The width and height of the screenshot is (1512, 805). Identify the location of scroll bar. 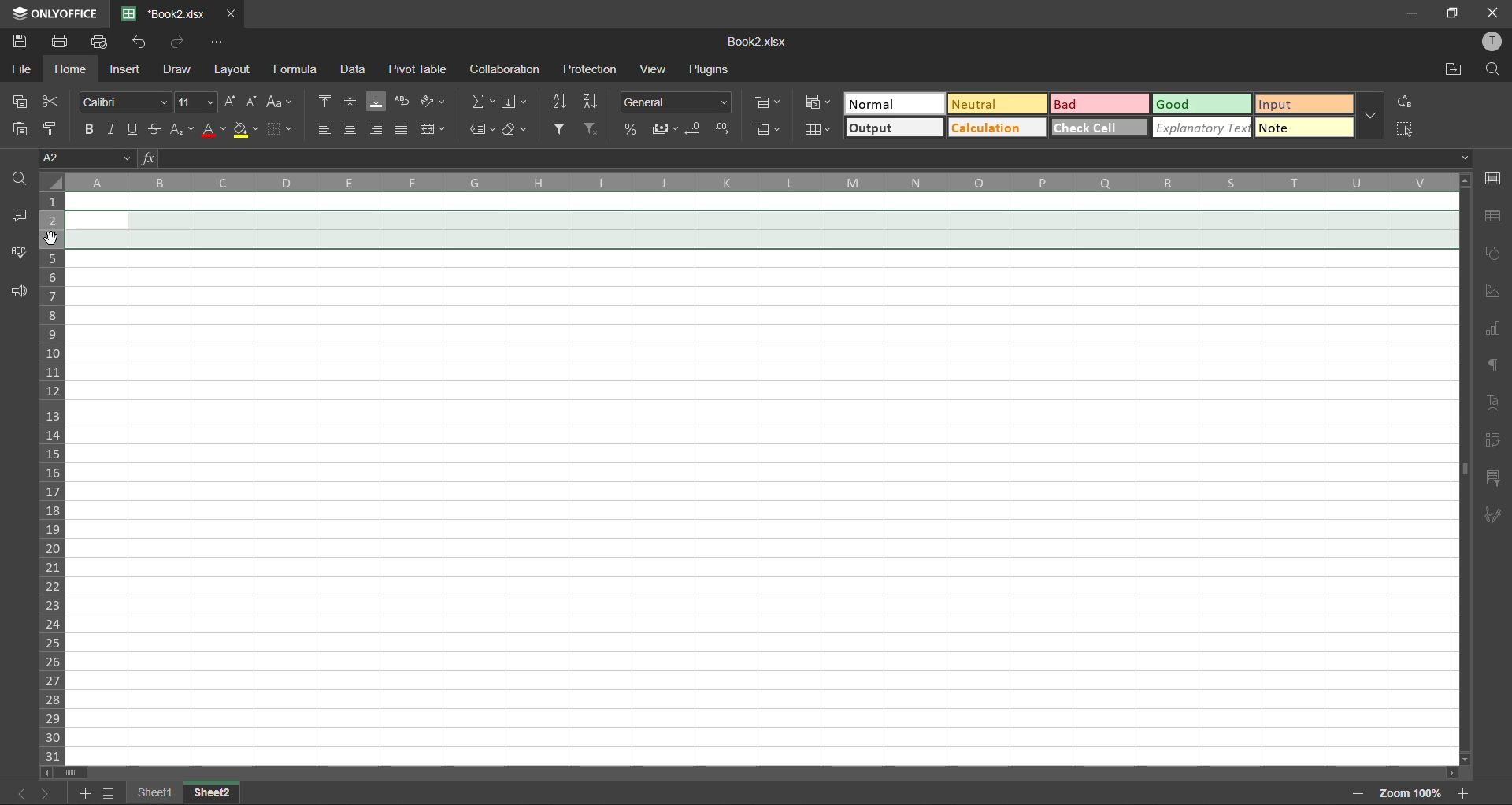
(756, 773).